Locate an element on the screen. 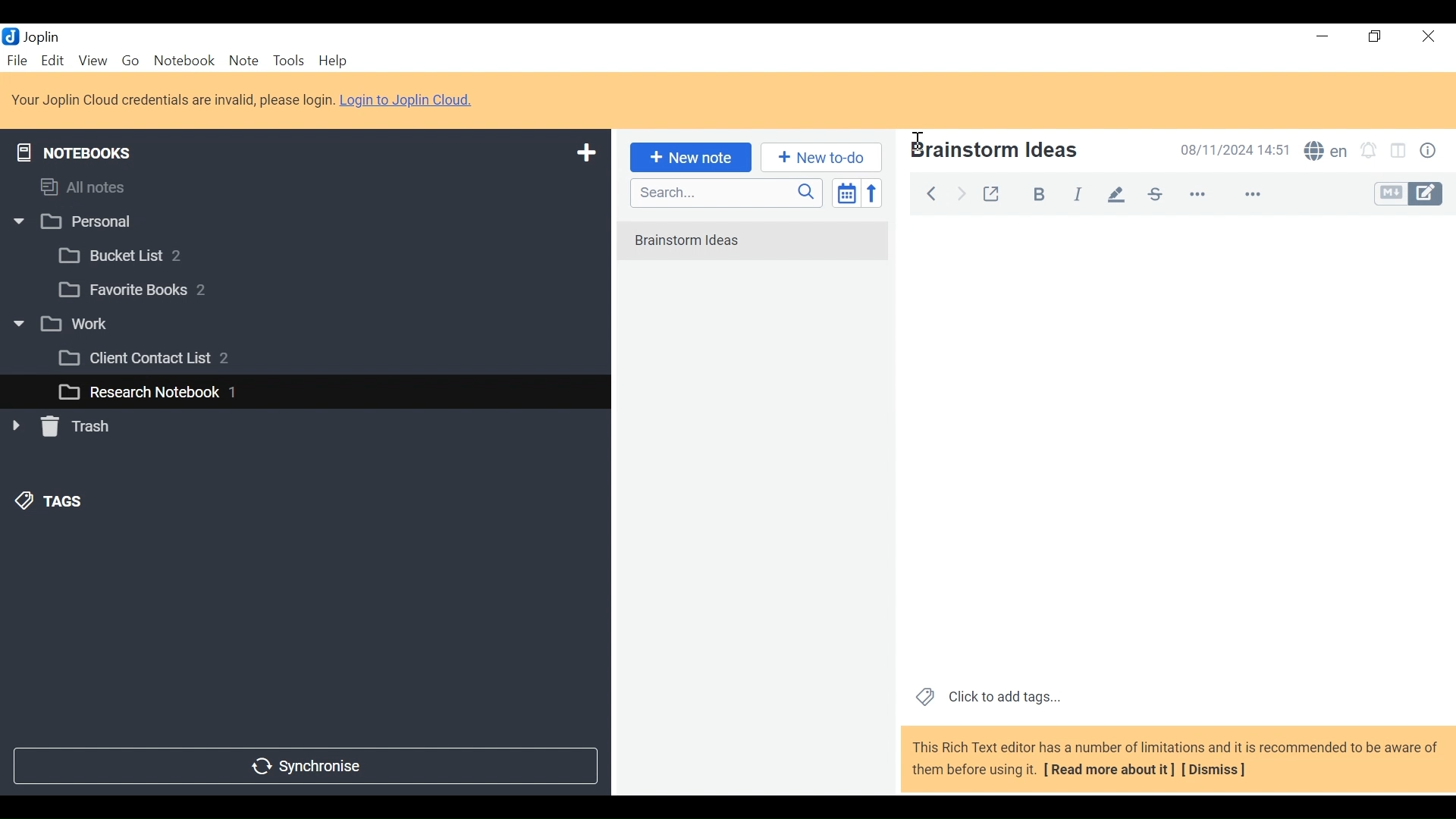 This screenshot has height=819, width=1456. Bold is located at coordinates (1032, 192).